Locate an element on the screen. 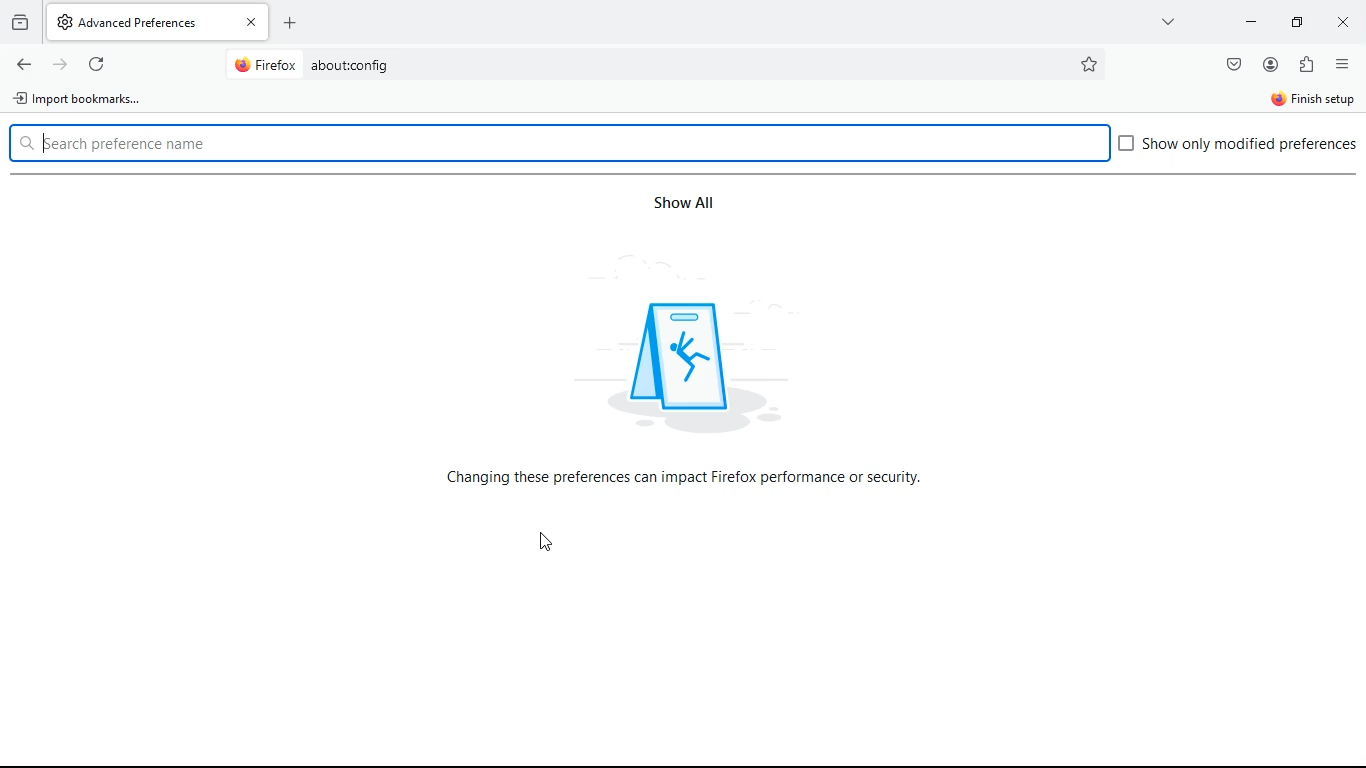 The height and width of the screenshot is (768, 1366). more is located at coordinates (1165, 21).